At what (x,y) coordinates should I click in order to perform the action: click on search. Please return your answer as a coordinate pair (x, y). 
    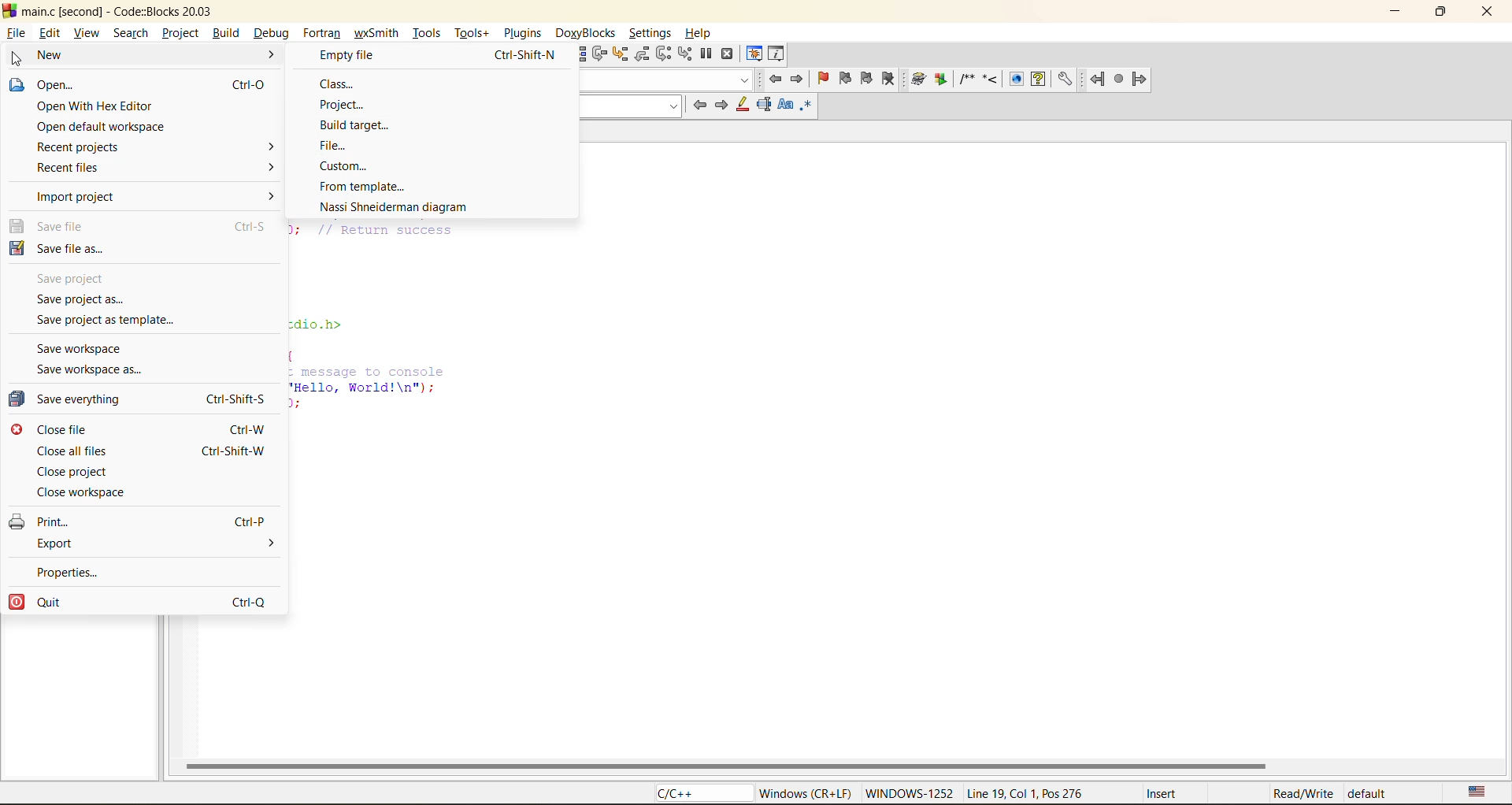
    Looking at the image, I should click on (632, 107).